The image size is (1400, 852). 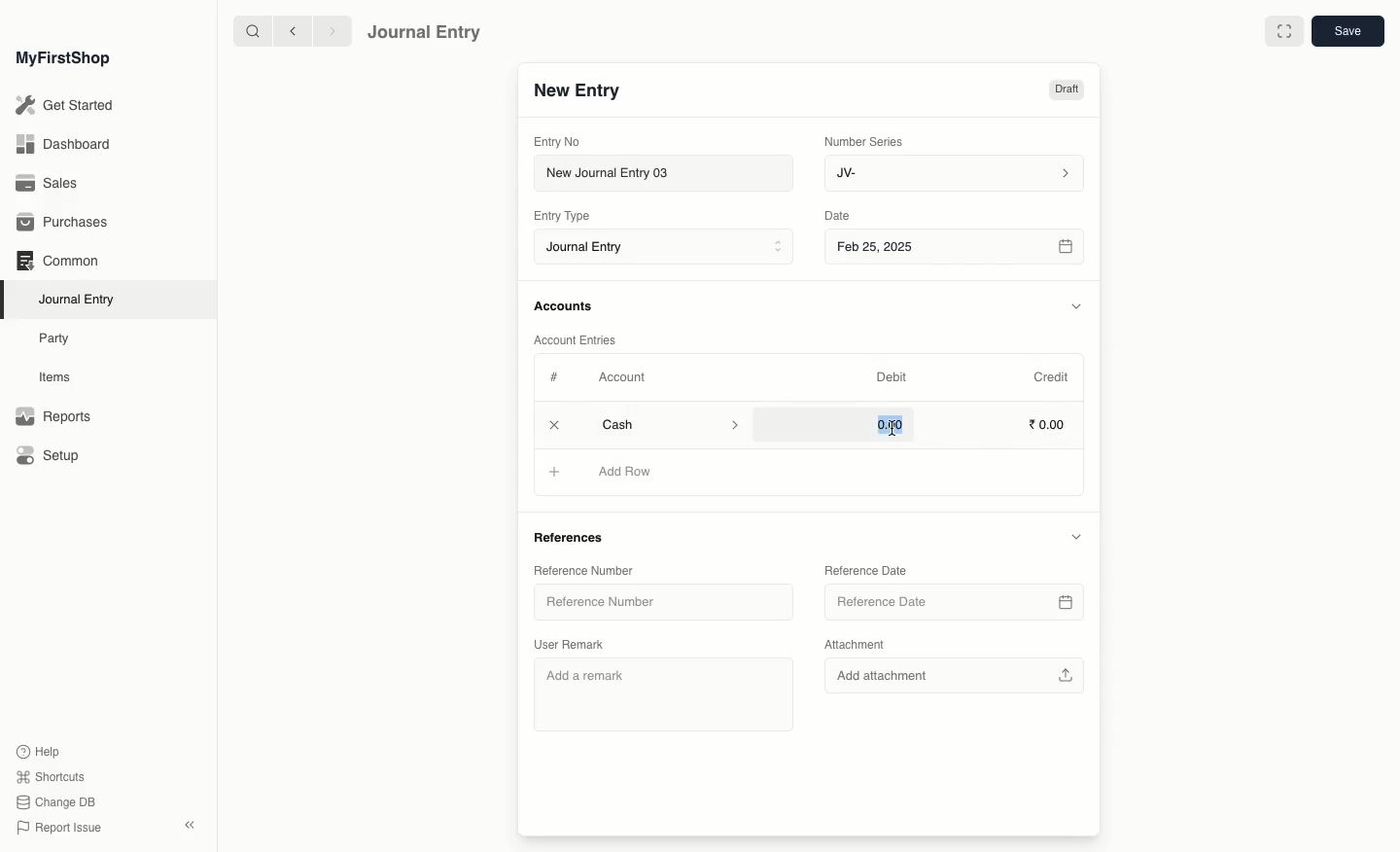 What do you see at coordinates (48, 775) in the screenshot?
I see `Shortcuts` at bounding box center [48, 775].